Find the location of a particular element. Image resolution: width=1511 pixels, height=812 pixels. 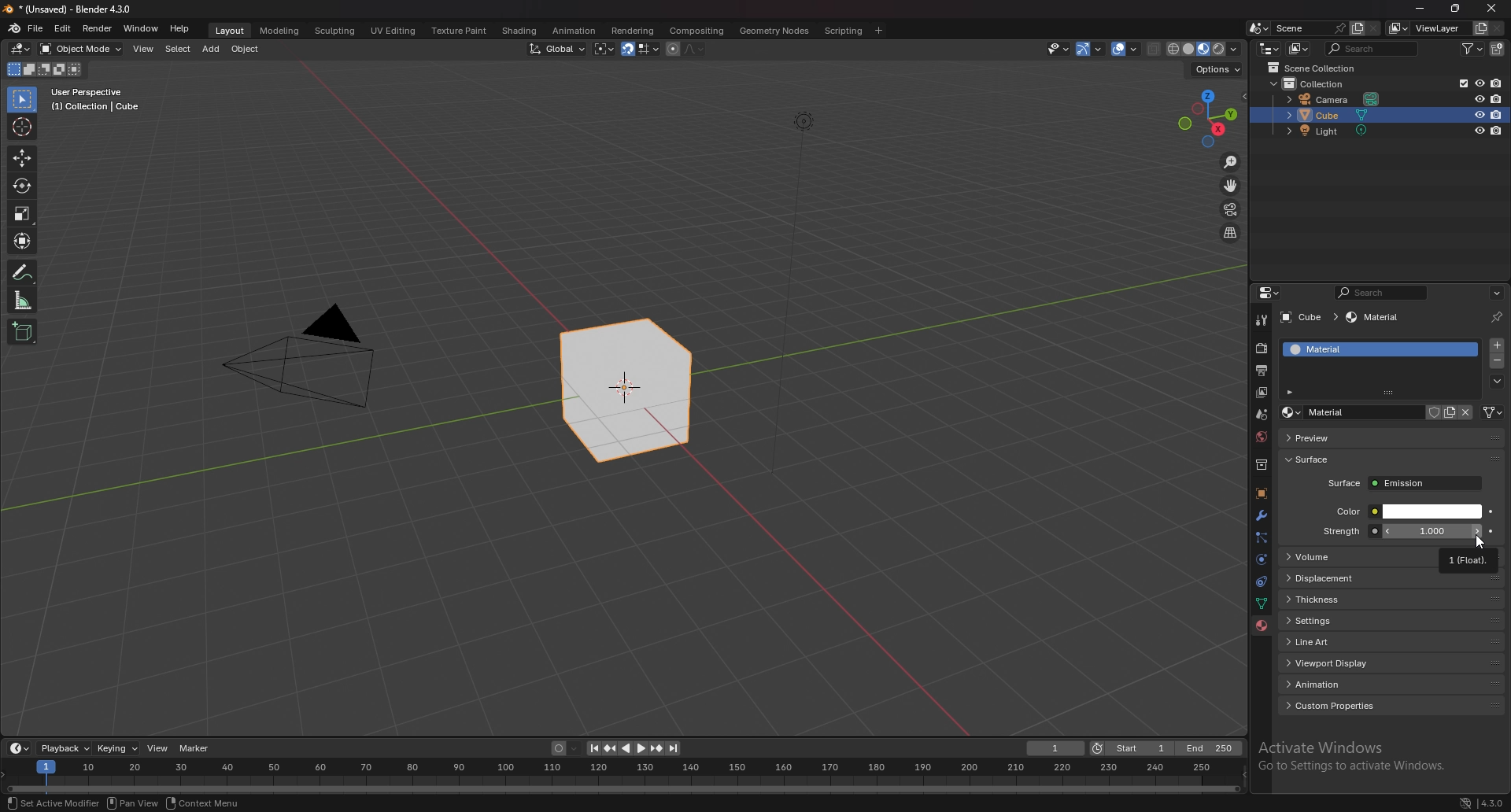

light is located at coordinates (1333, 131).